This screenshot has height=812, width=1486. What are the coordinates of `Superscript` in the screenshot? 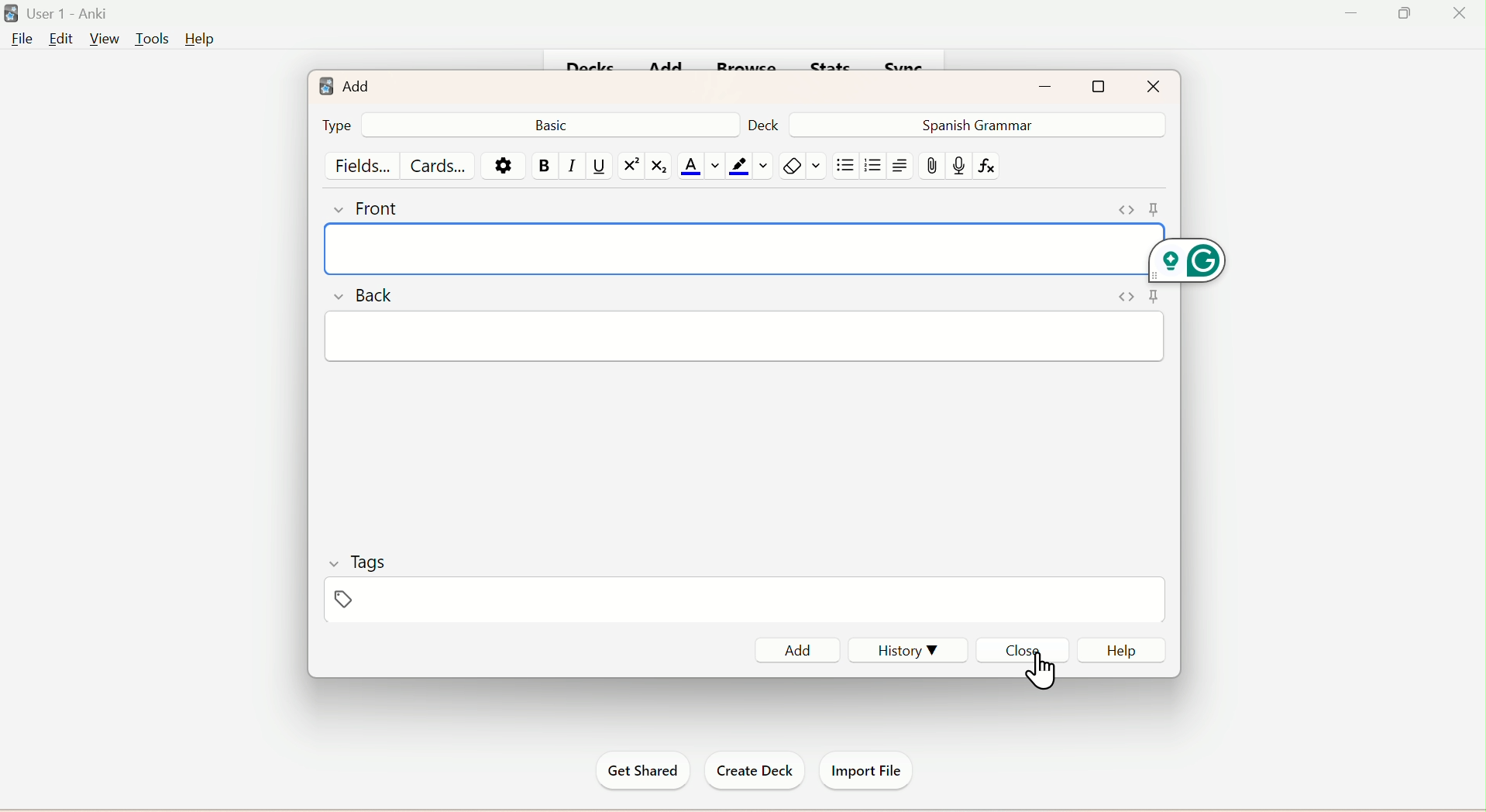 It's located at (628, 166).